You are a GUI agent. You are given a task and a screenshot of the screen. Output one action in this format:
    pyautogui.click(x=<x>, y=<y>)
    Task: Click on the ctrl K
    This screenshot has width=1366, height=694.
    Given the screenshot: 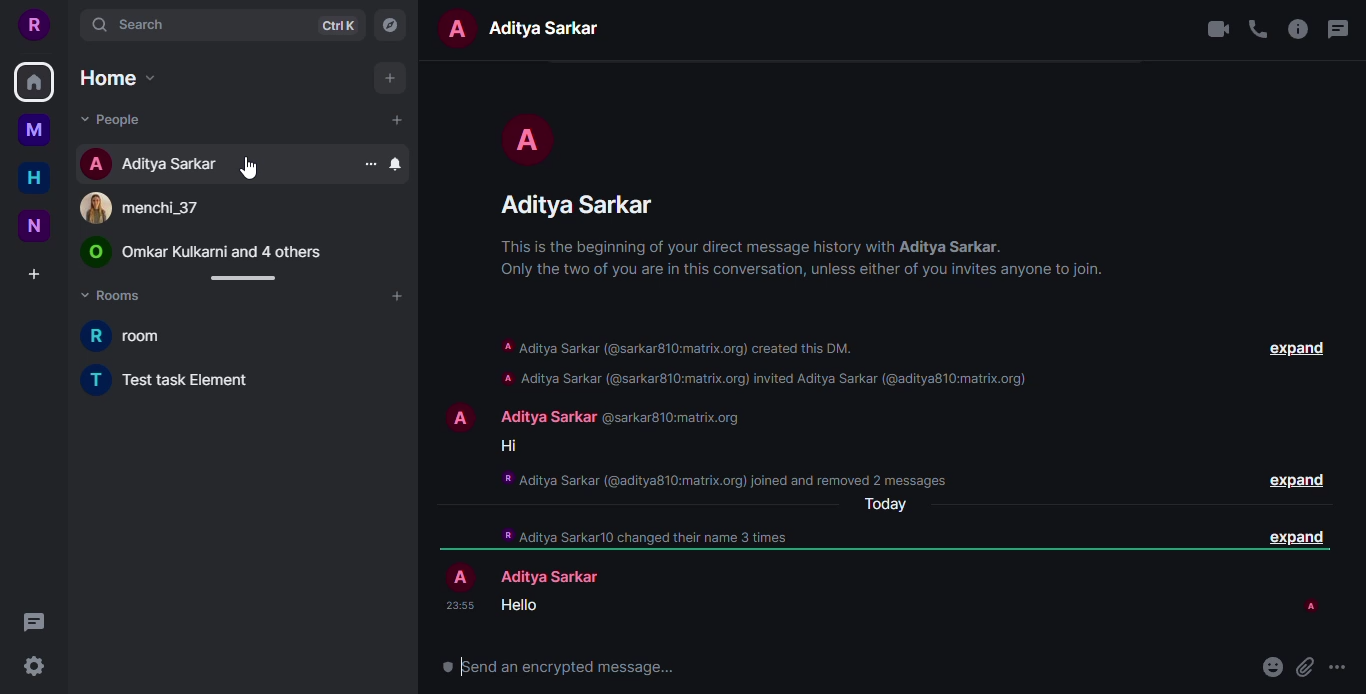 What is the action you would take?
    pyautogui.click(x=337, y=25)
    